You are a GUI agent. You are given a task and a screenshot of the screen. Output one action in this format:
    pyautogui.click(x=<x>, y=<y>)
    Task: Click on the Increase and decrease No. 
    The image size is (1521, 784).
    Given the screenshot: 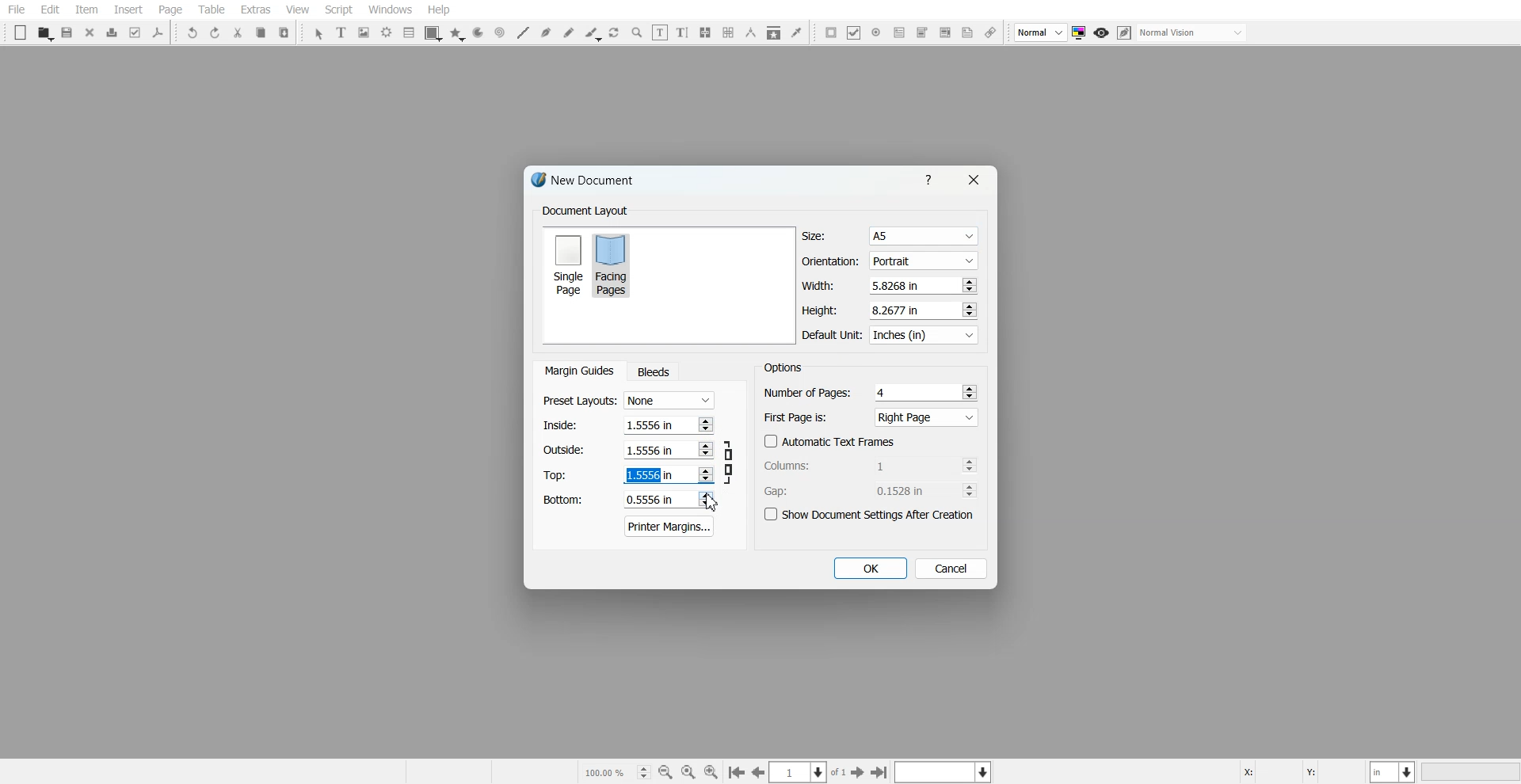 What is the action you would take?
    pyautogui.click(x=968, y=285)
    